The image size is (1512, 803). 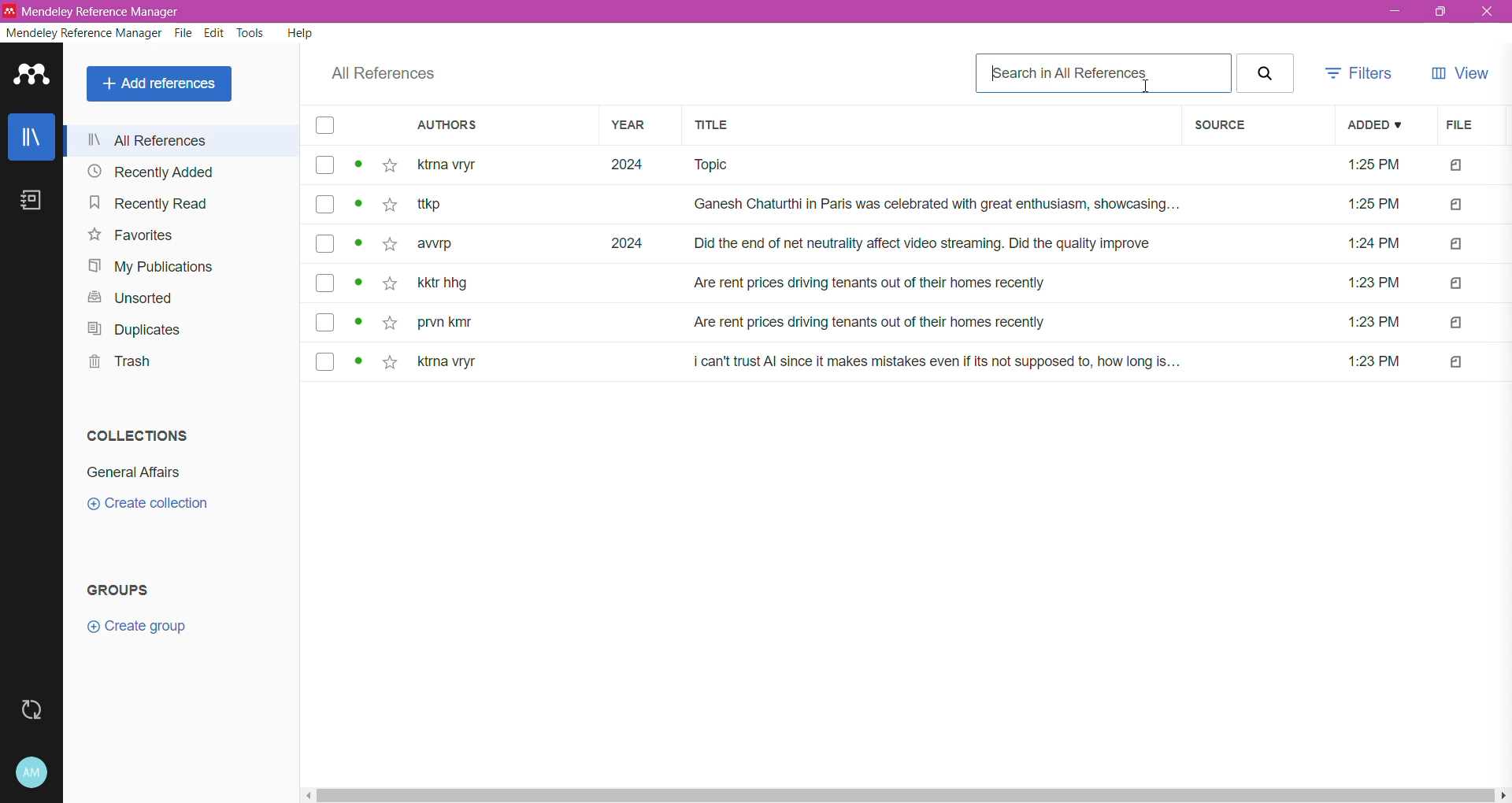 What do you see at coordinates (309, 796) in the screenshot?
I see `move left` at bounding box center [309, 796].